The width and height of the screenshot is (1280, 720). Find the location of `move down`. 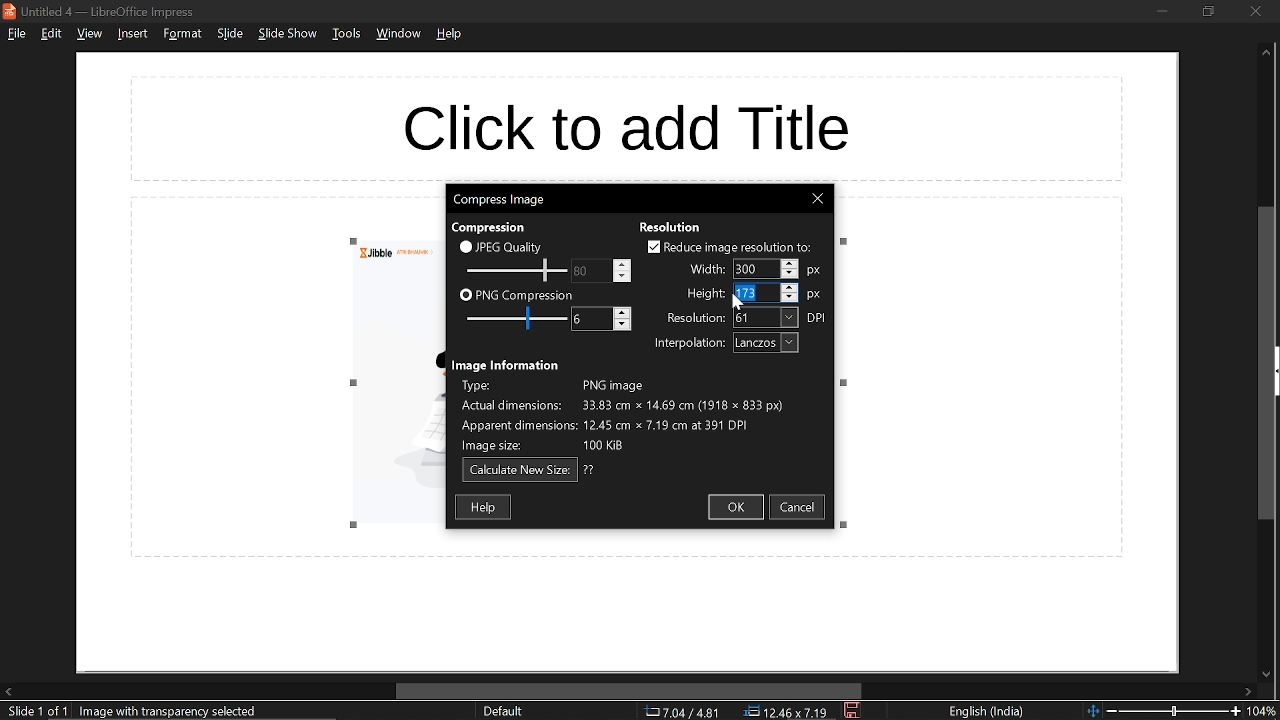

move down is located at coordinates (1264, 672).